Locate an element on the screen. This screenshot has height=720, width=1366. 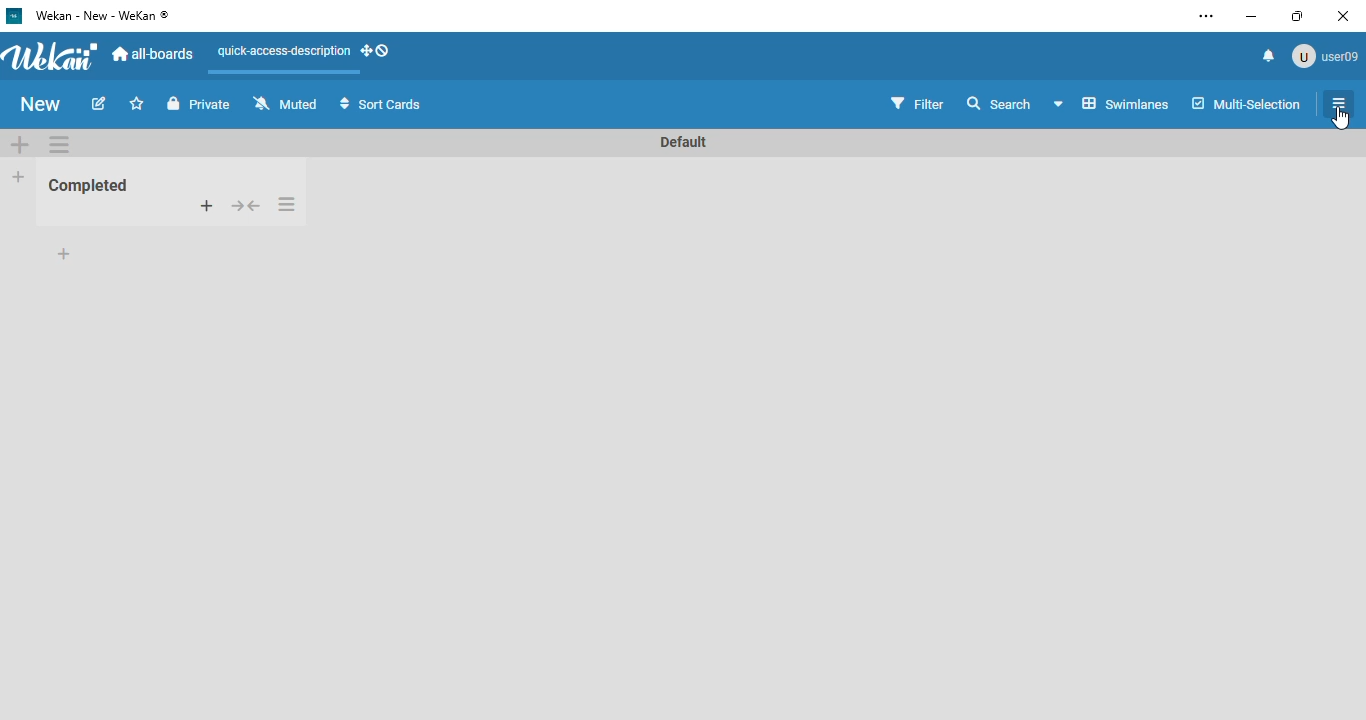
show-desktop-drag-handles is located at coordinates (376, 50).